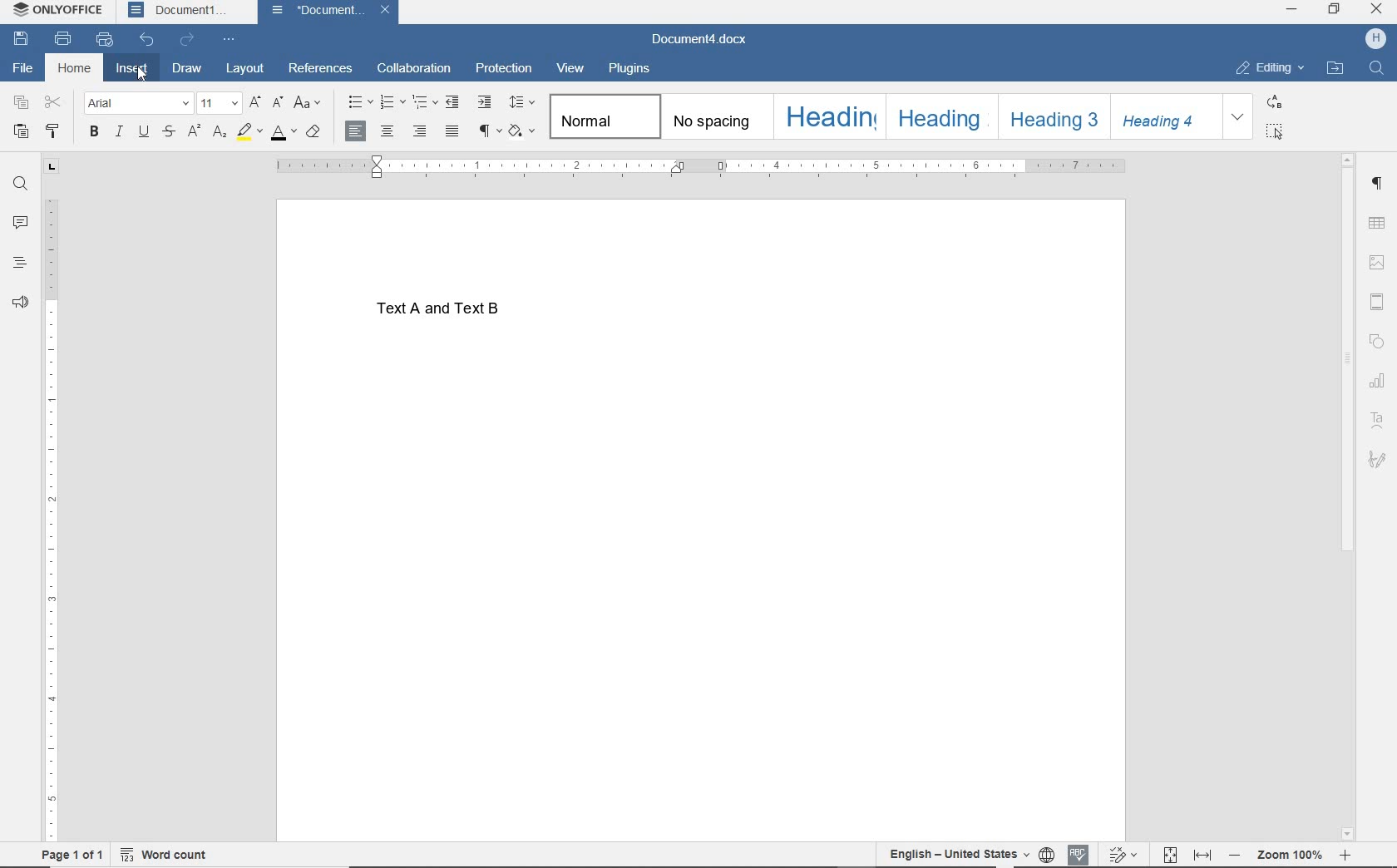  Describe the element at coordinates (21, 131) in the screenshot. I see `PASTE` at that location.